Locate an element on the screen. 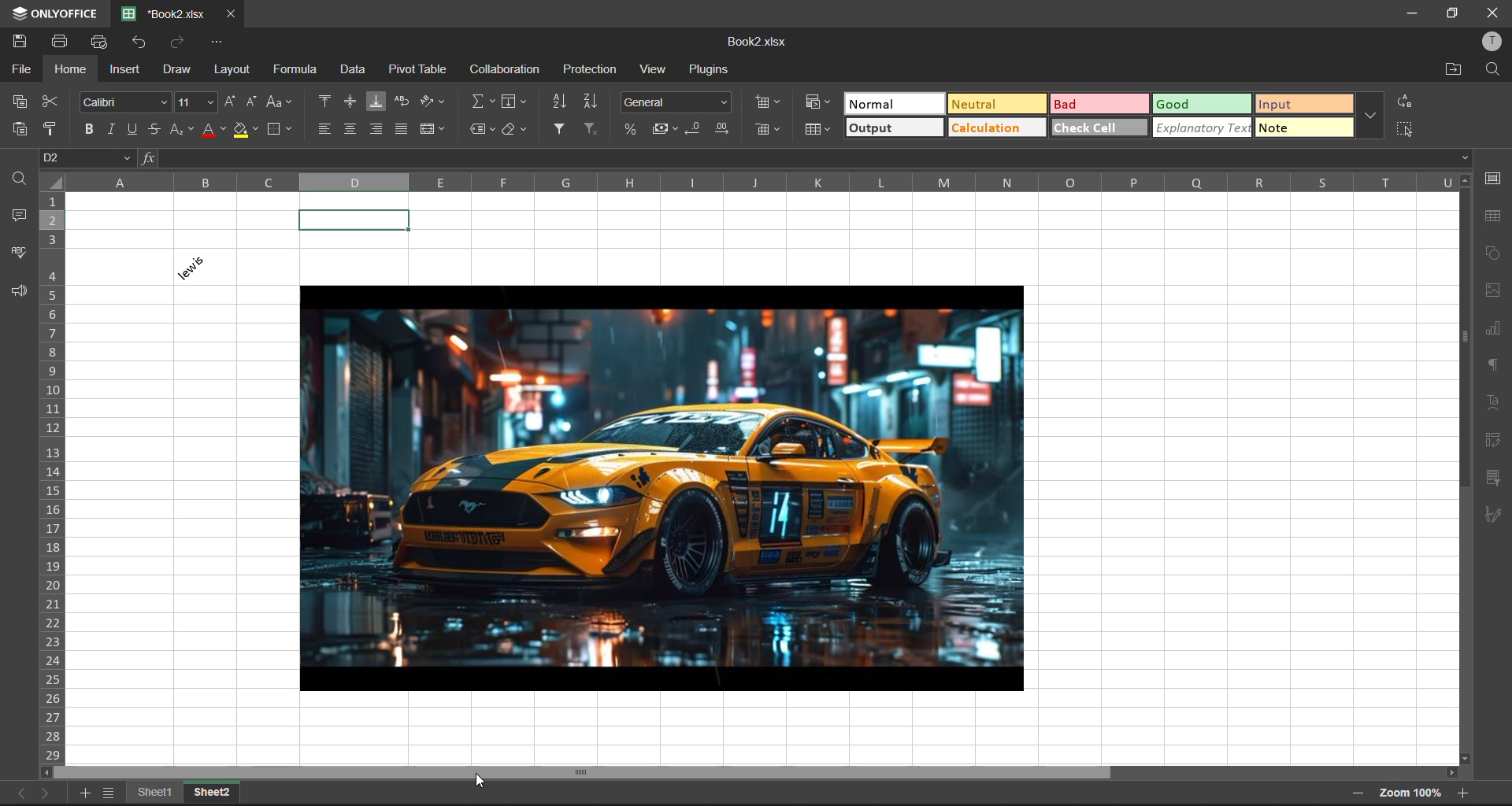 This screenshot has width=1512, height=806. shapes is located at coordinates (1492, 254).